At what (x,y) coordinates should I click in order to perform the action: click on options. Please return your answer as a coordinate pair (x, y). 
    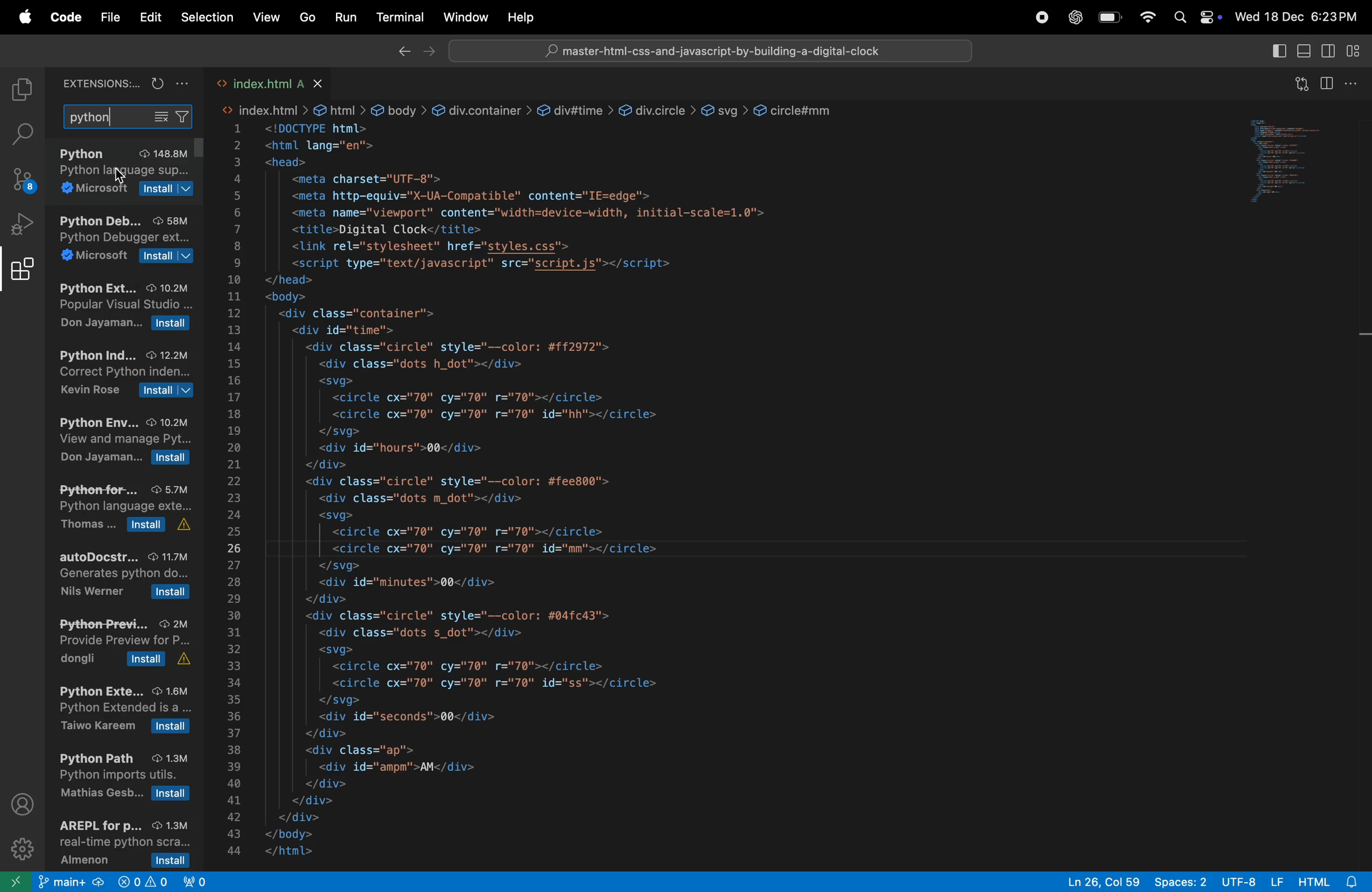
    Looking at the image, I should click on (1358, 84).